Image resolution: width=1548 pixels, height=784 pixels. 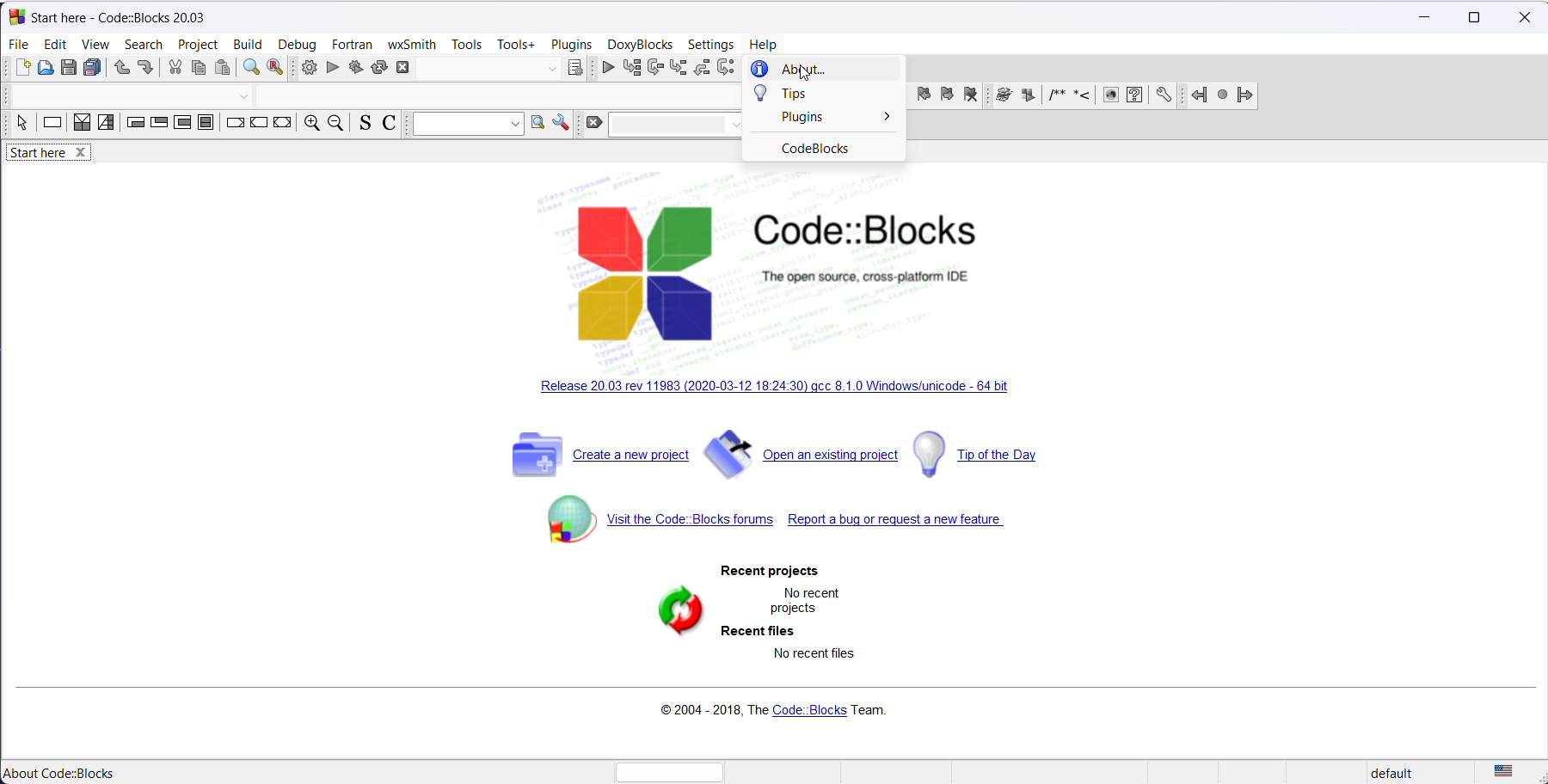 What do you see at coordinates (822, 118) in the screenshot?
I see `plugins` at bounding box center [822, 118].